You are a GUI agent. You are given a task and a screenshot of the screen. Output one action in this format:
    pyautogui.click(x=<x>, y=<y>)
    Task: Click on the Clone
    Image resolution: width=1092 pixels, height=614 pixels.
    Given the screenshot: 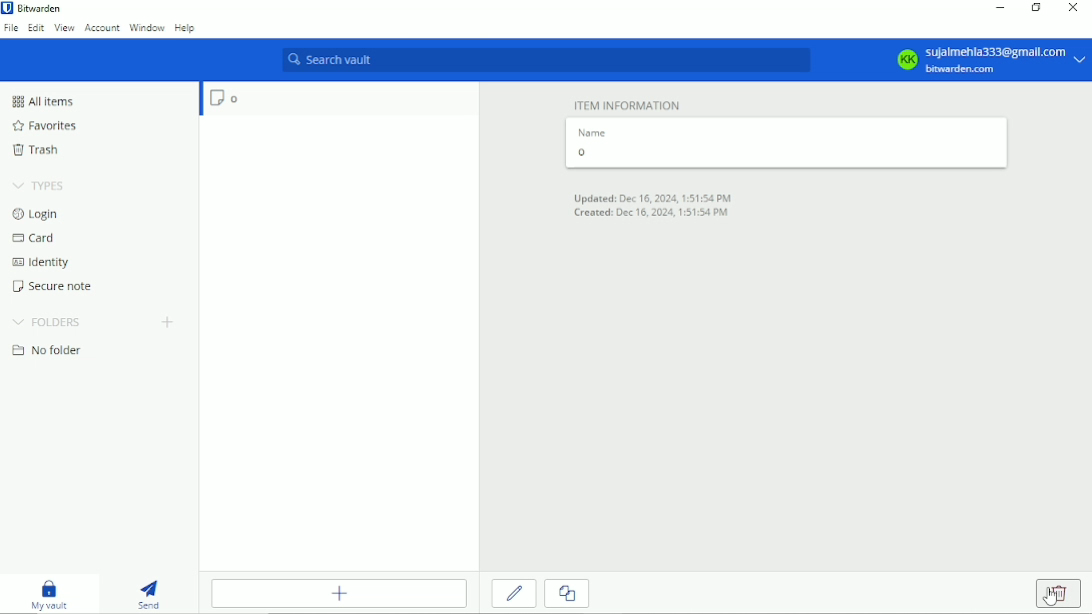 What is the action you would take?
    pyautogui.click(x=568, y=595)
    